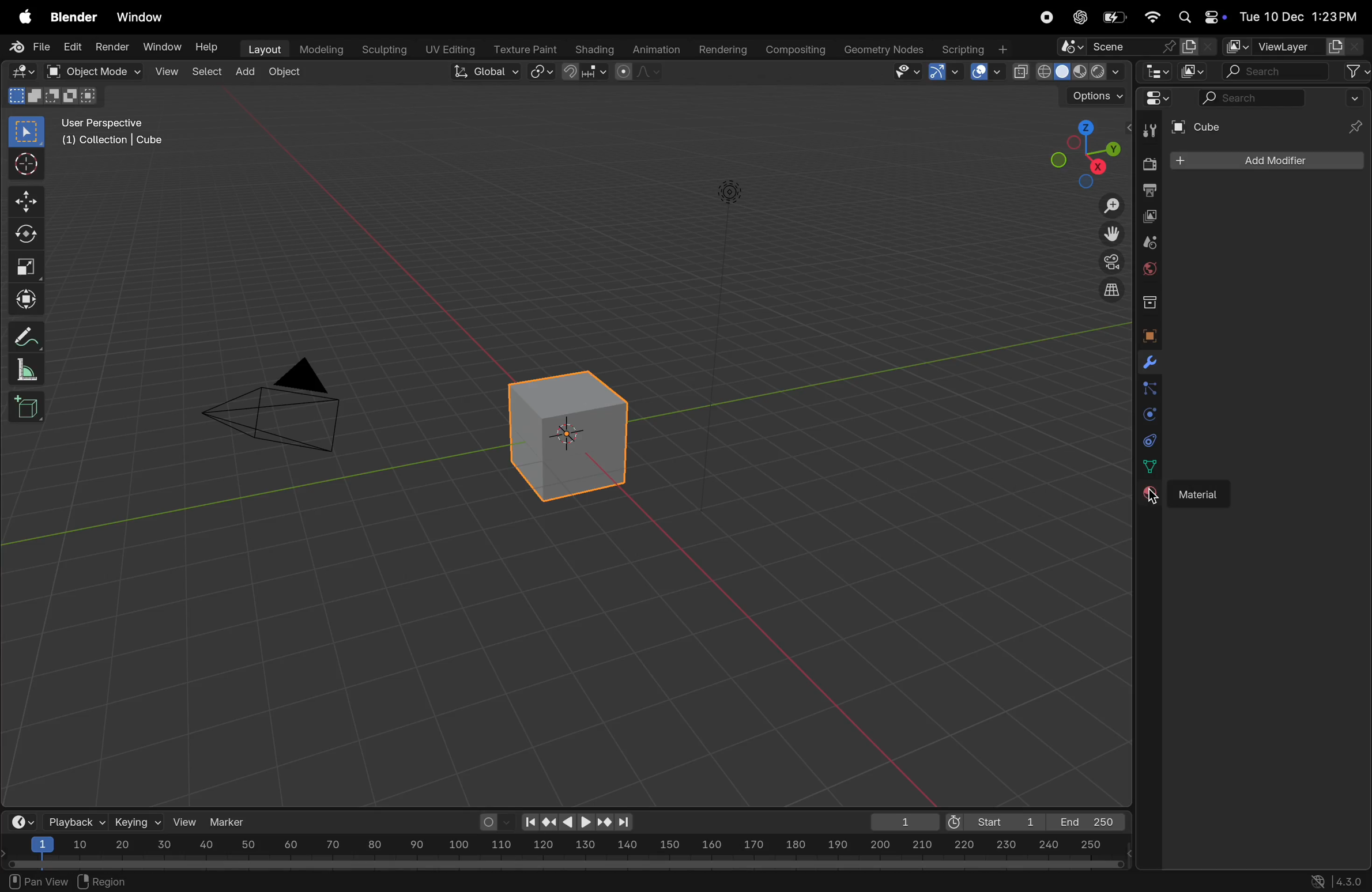 This screenshot has height=892, width=1372. Describe the element at coordinates (24, 165) in the screenshot. I see `cursor` at that location.